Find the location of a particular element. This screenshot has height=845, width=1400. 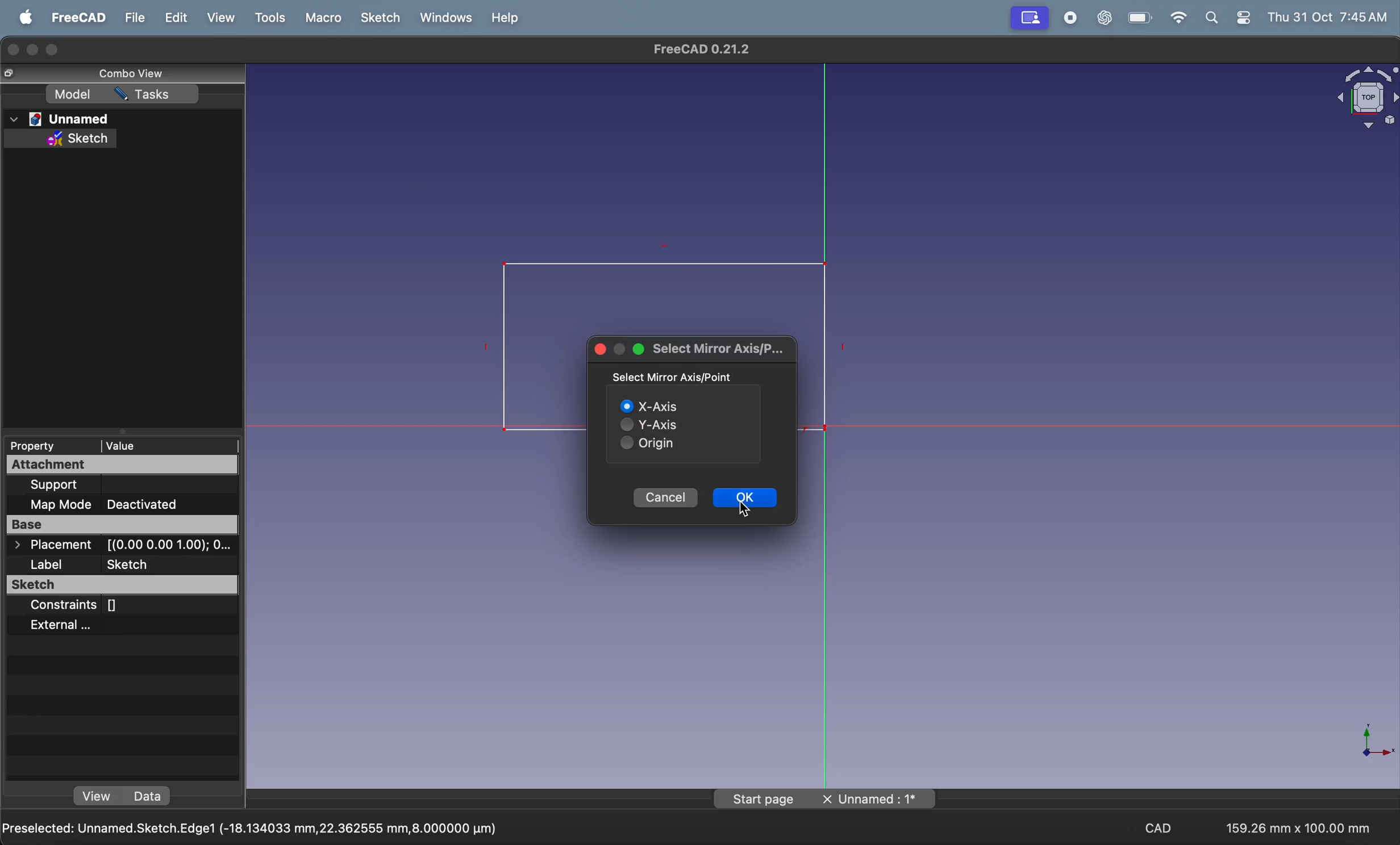

thu 31 oct 7.45 am is located at coordinates (1328, 16).